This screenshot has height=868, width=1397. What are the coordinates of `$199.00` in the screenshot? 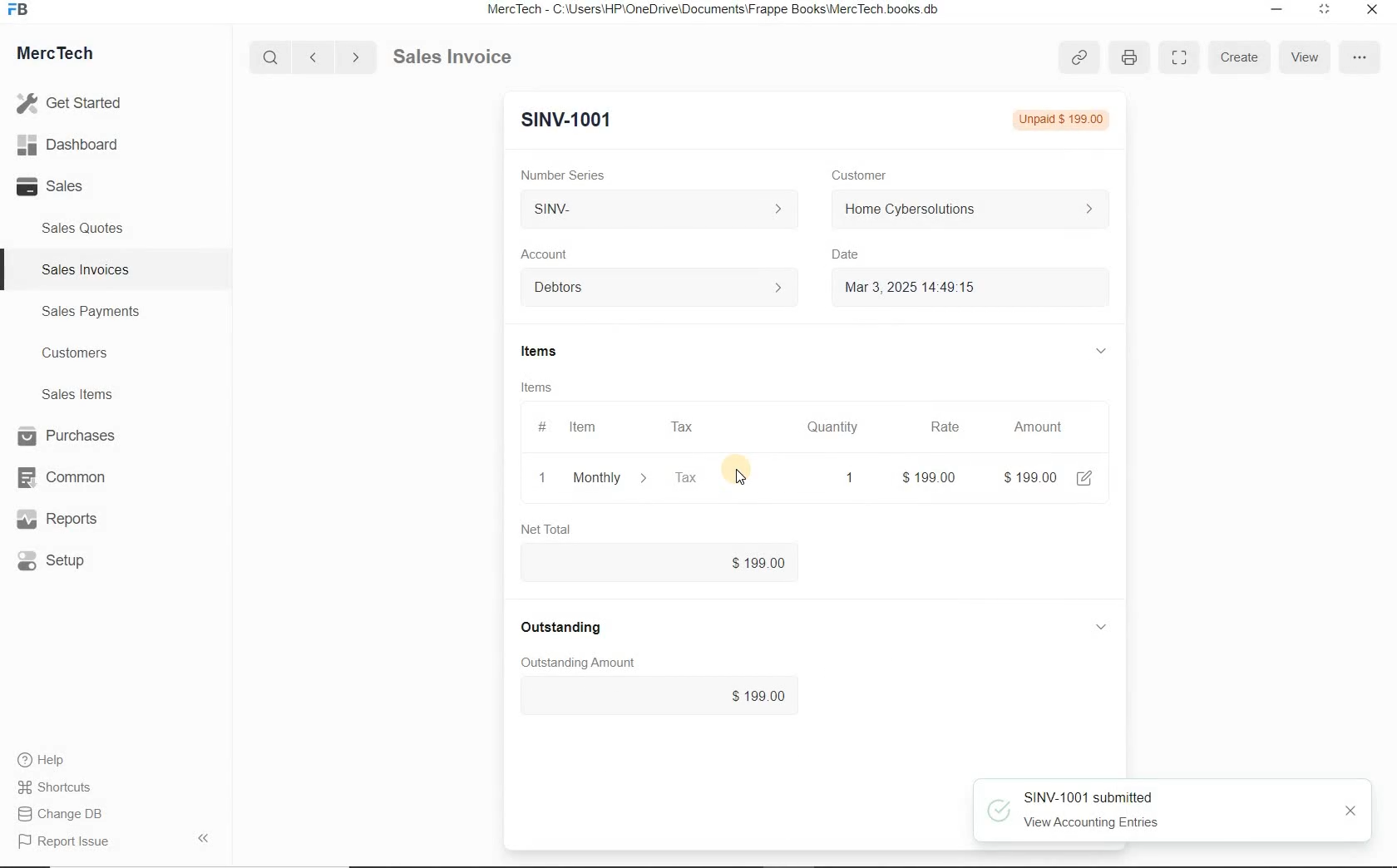 It's located at (657, 560).